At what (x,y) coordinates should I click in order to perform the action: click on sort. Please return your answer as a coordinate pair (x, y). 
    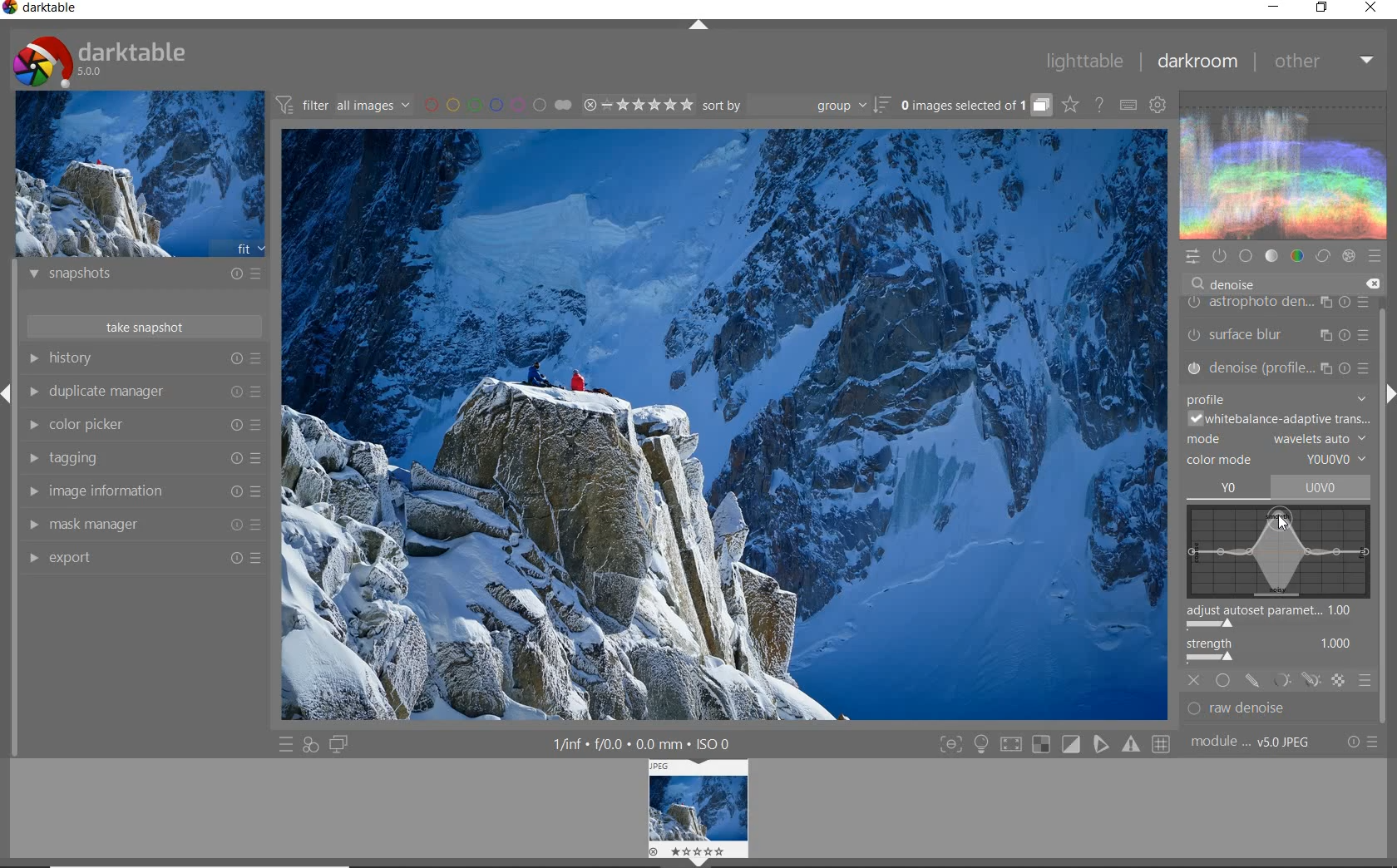
    Looking at the image, I should click on (796, 106).